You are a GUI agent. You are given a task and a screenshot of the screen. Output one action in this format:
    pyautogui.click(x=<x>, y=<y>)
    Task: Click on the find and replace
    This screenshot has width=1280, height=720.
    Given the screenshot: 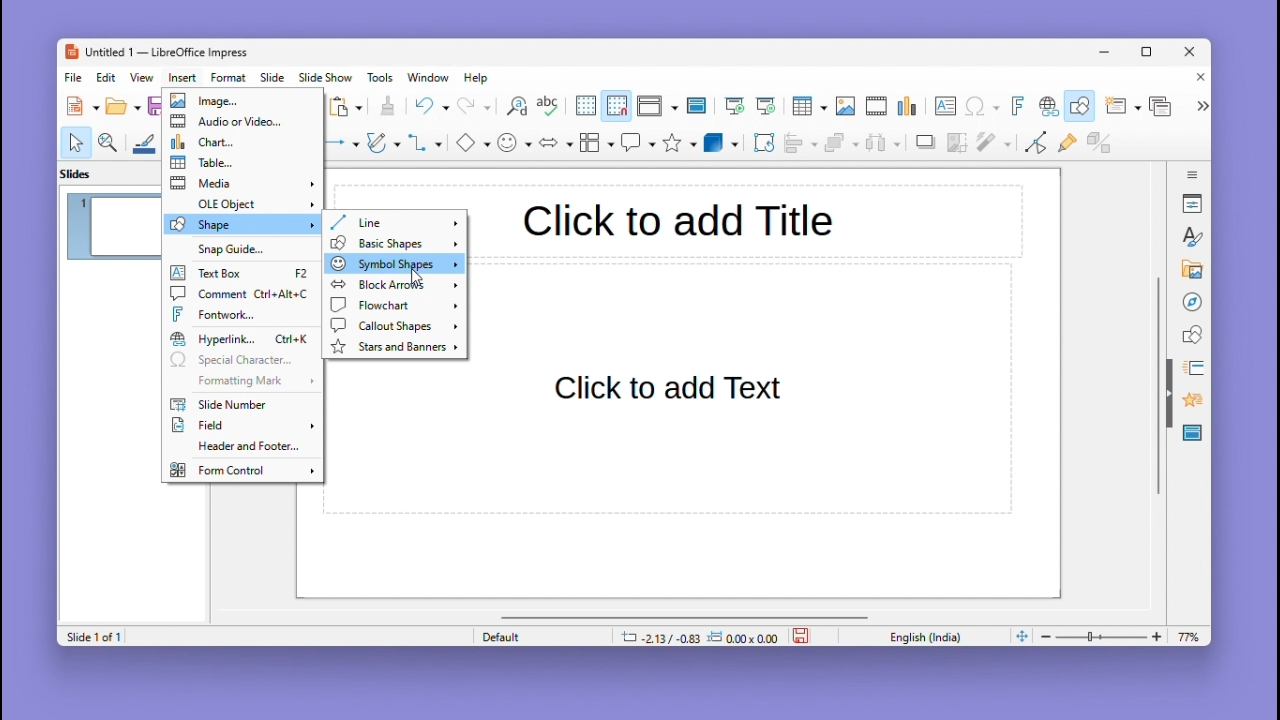 What is the action you would take?
    pyautogui.click(x=515, y=106)
    